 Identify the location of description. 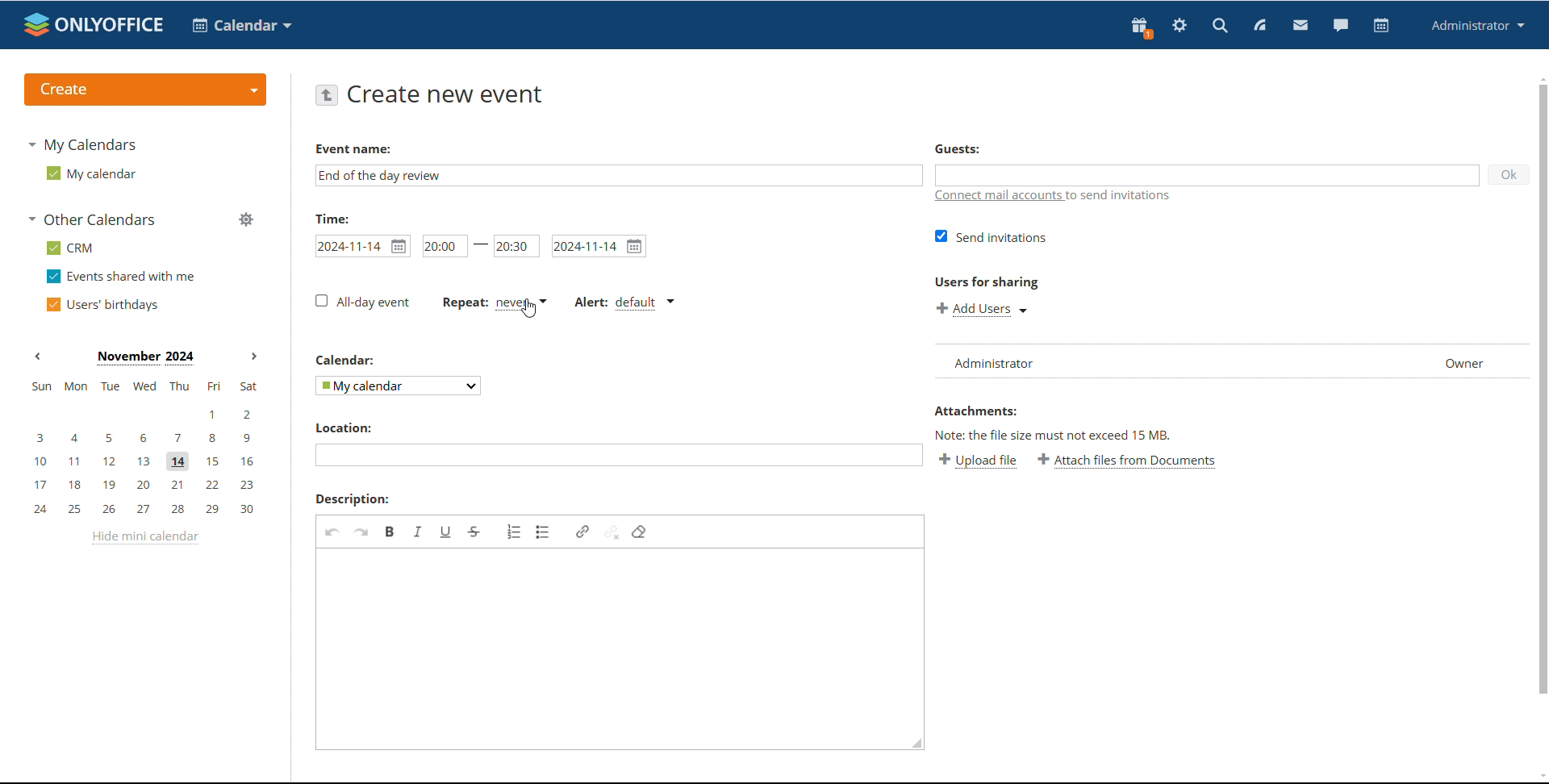
(353, 499).